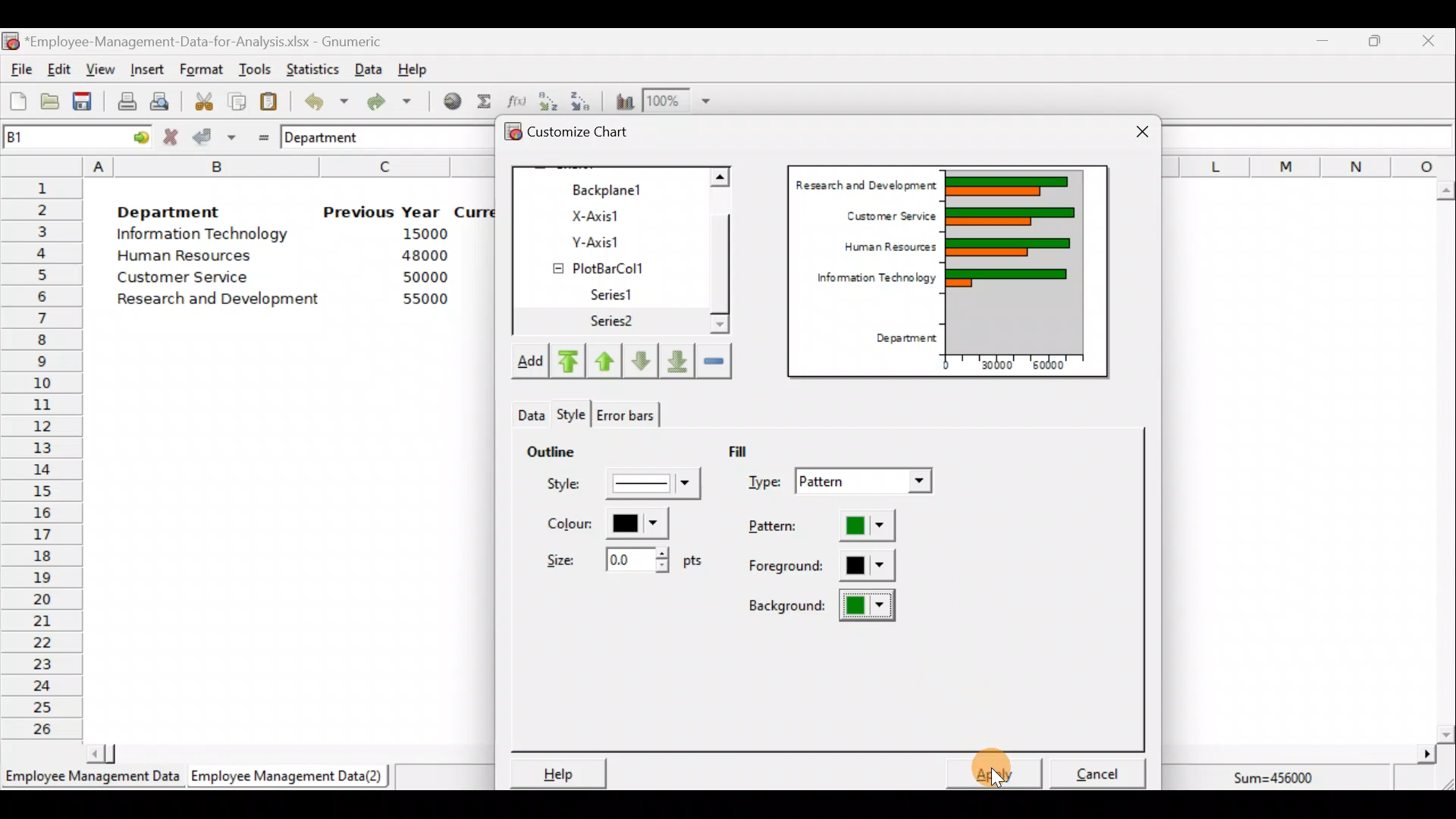 Image resolution: width=1456 pixels, height=819 pixels. I want to click on Error bars, so click(625, 412).